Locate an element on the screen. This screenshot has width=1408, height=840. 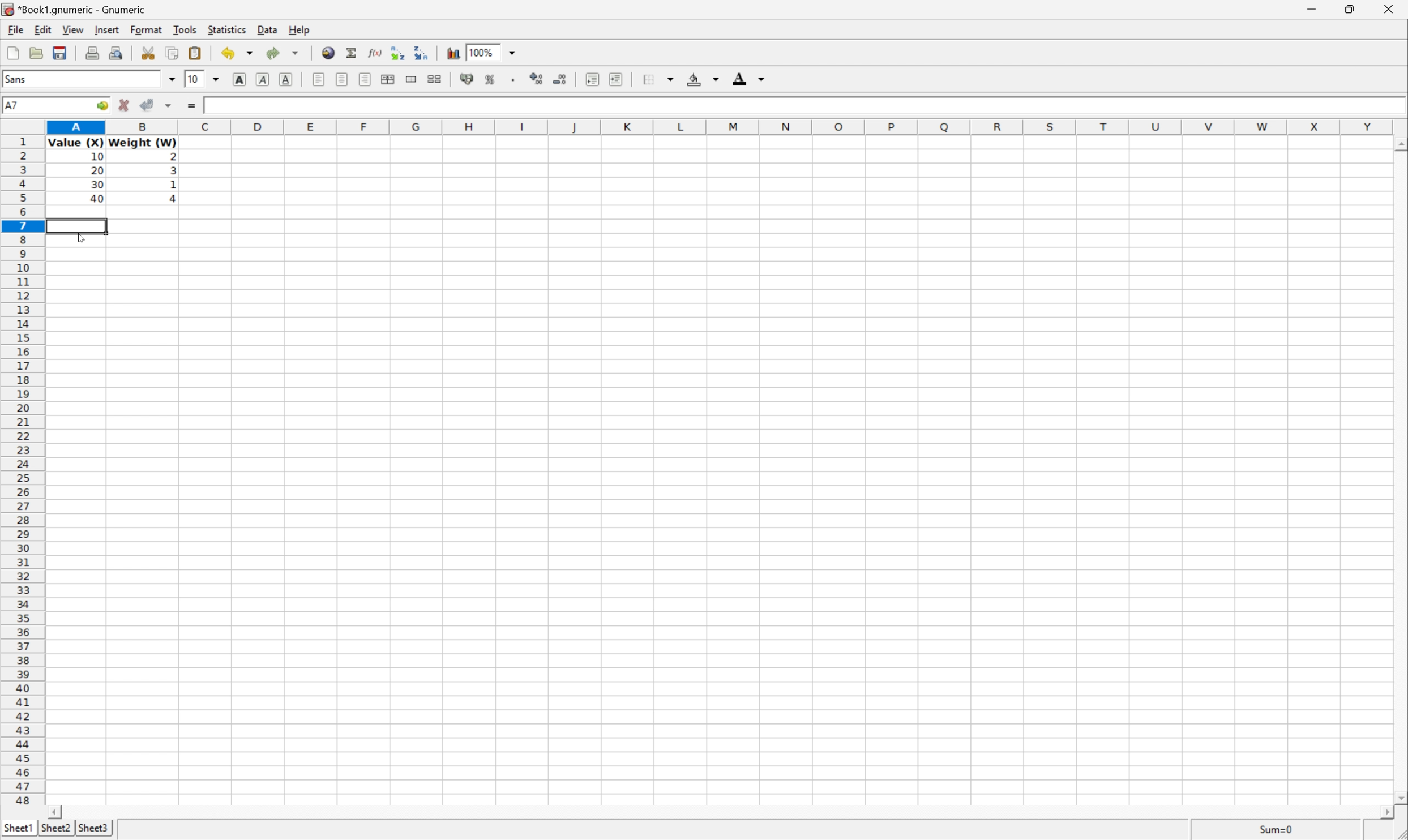
Print current file is located at coordinates (93, 53).